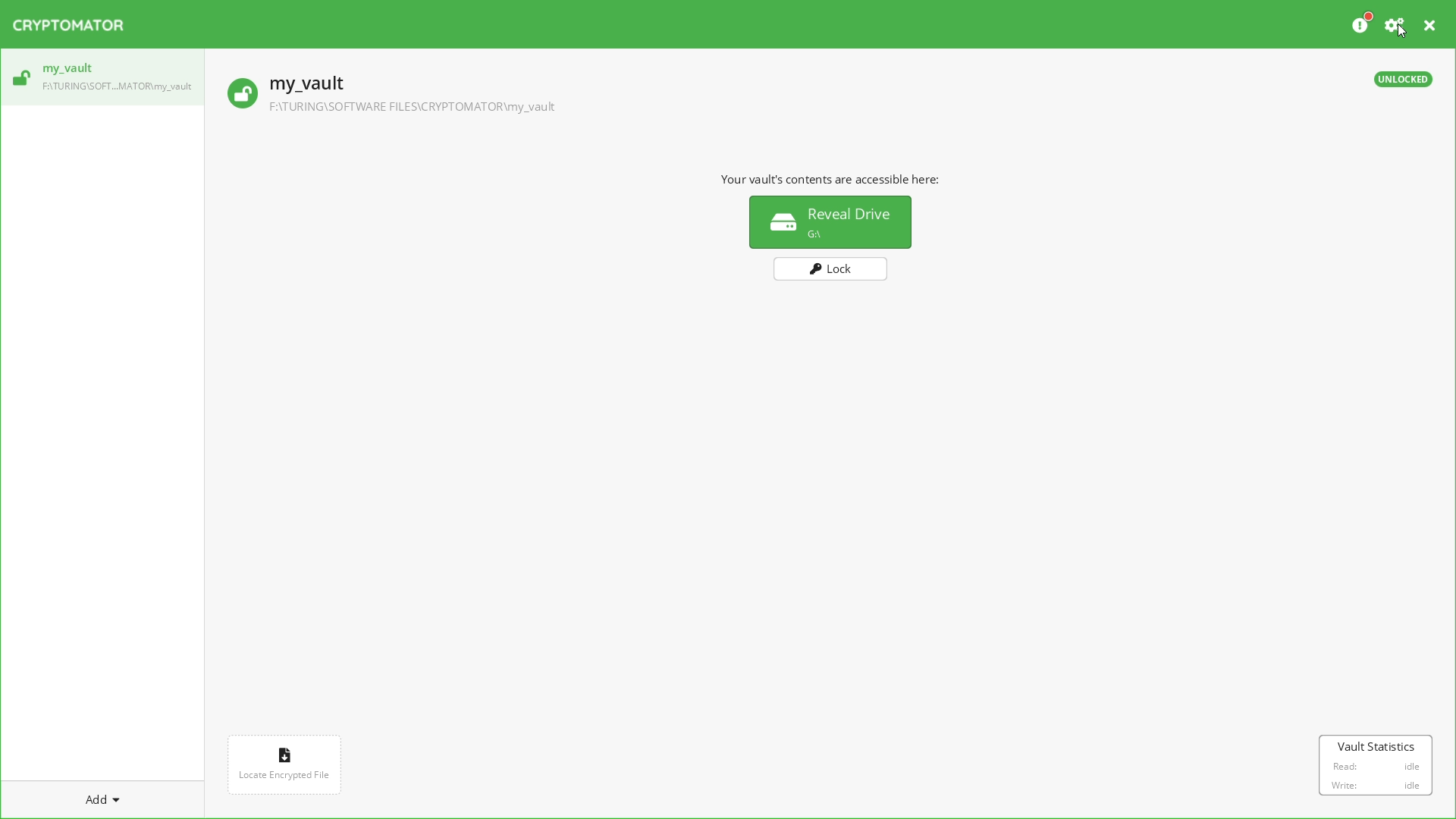 The image size is (1456, 819). What do you see at coordinates (79, 23) in the screenshot?
I see `Title` at bounding box center [79, 23].